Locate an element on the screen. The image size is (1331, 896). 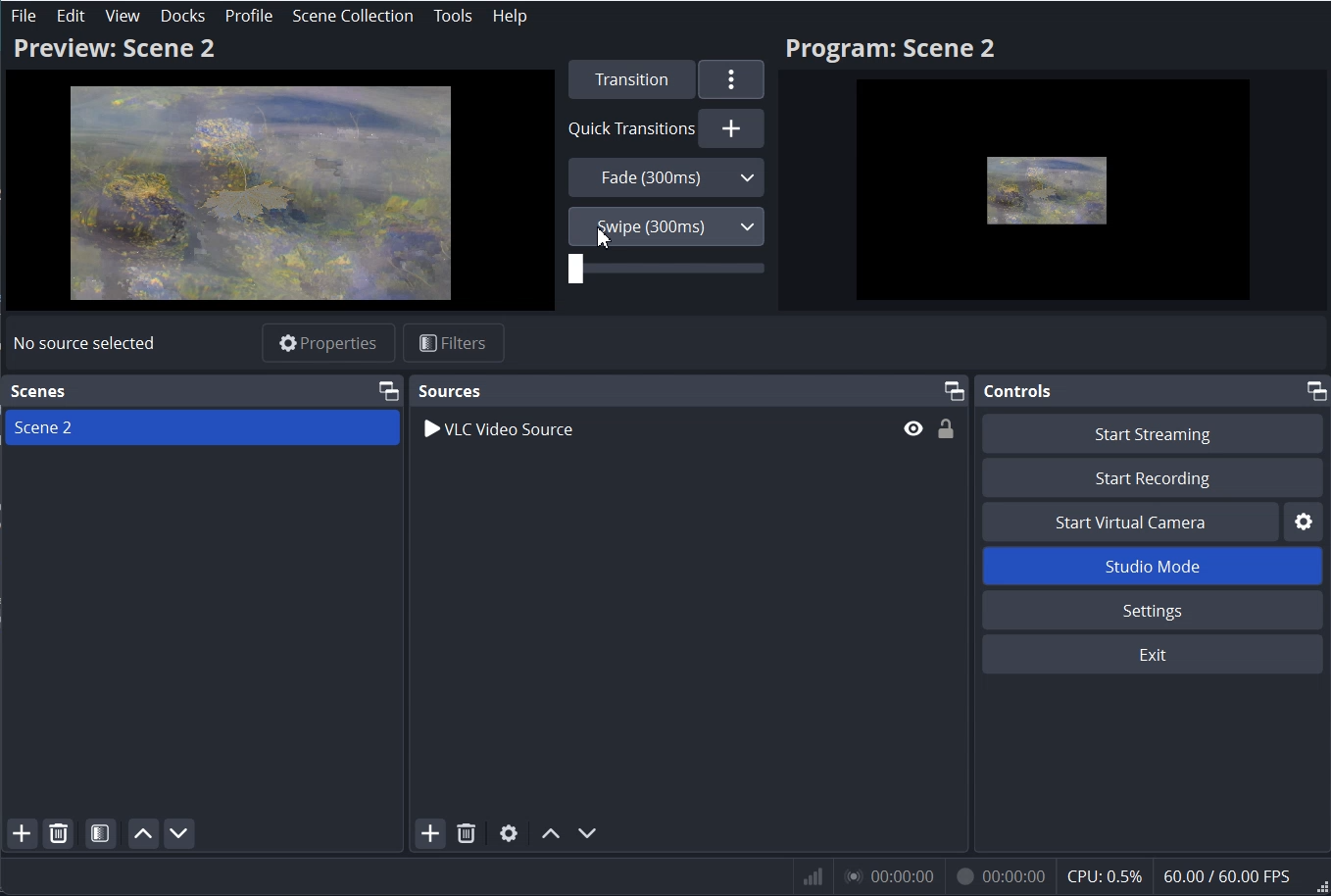
Settings is located at coordinates (1156, 610).